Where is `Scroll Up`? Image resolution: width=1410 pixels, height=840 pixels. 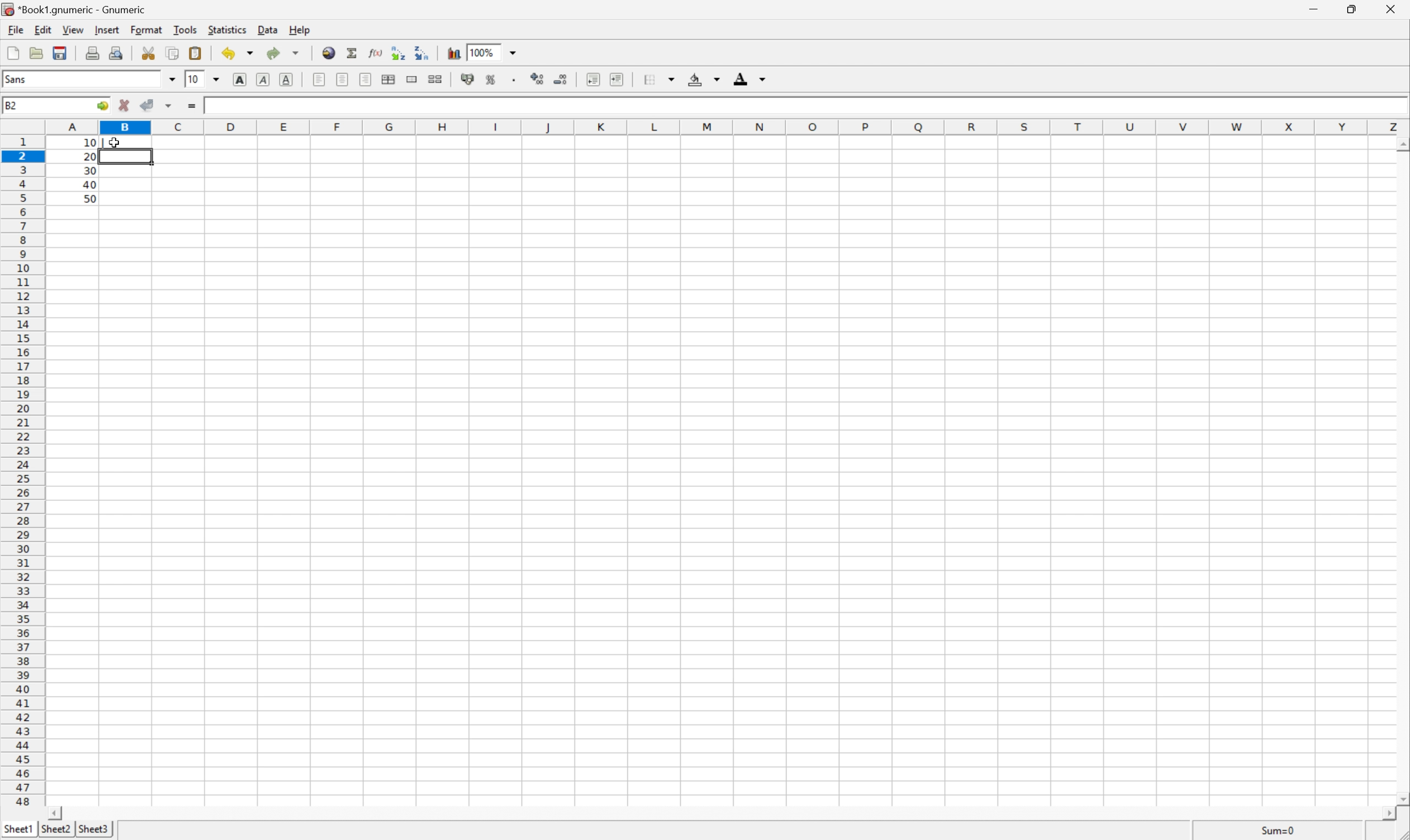
Scroll Up is located at coordinates (1401, 144).